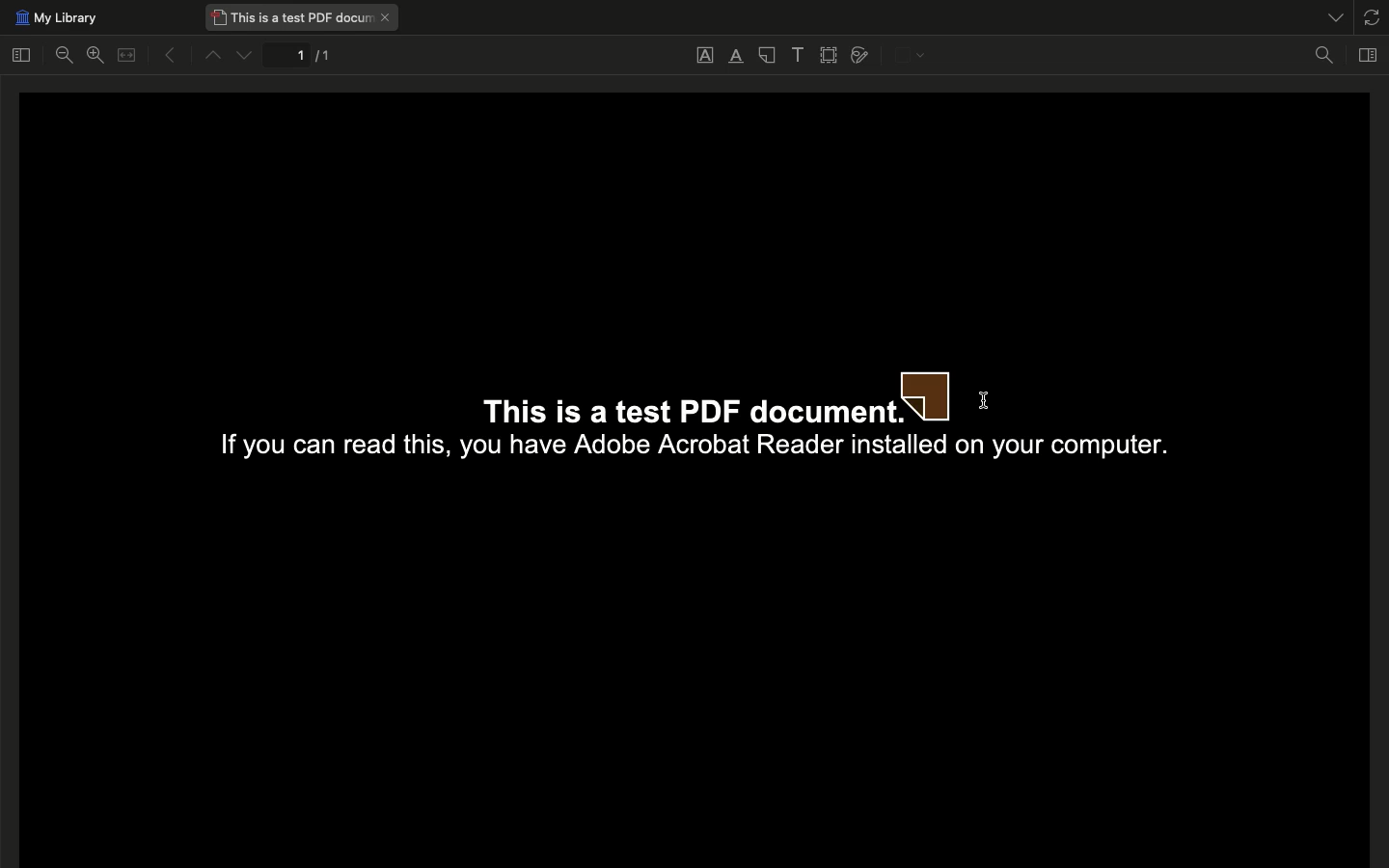 The width and height of the screenshot is (1389, 868). I want to click on Add text, so click(798, 56).